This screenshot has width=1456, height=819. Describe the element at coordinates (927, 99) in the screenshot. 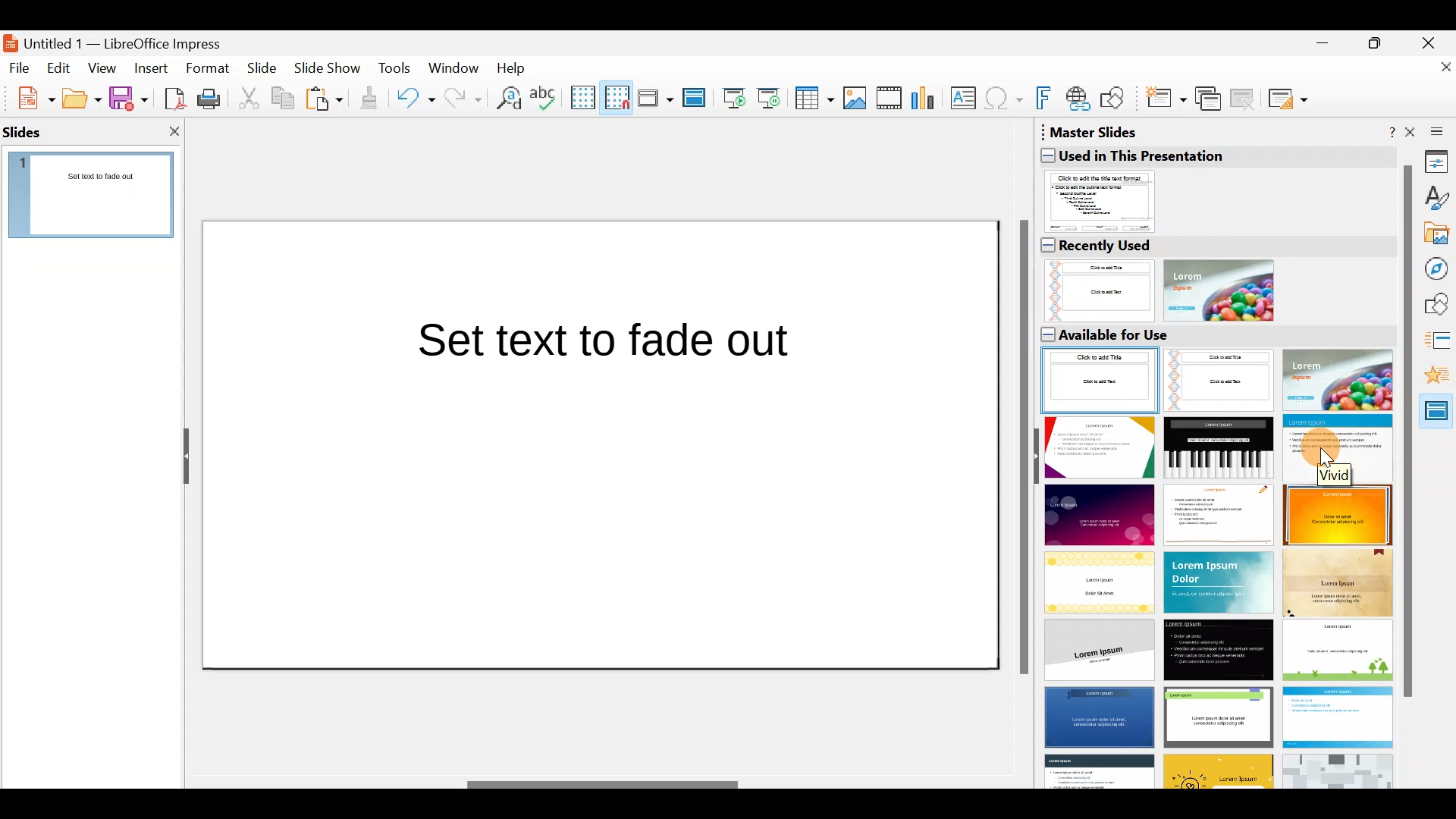

I see `Insert chart` at that location.